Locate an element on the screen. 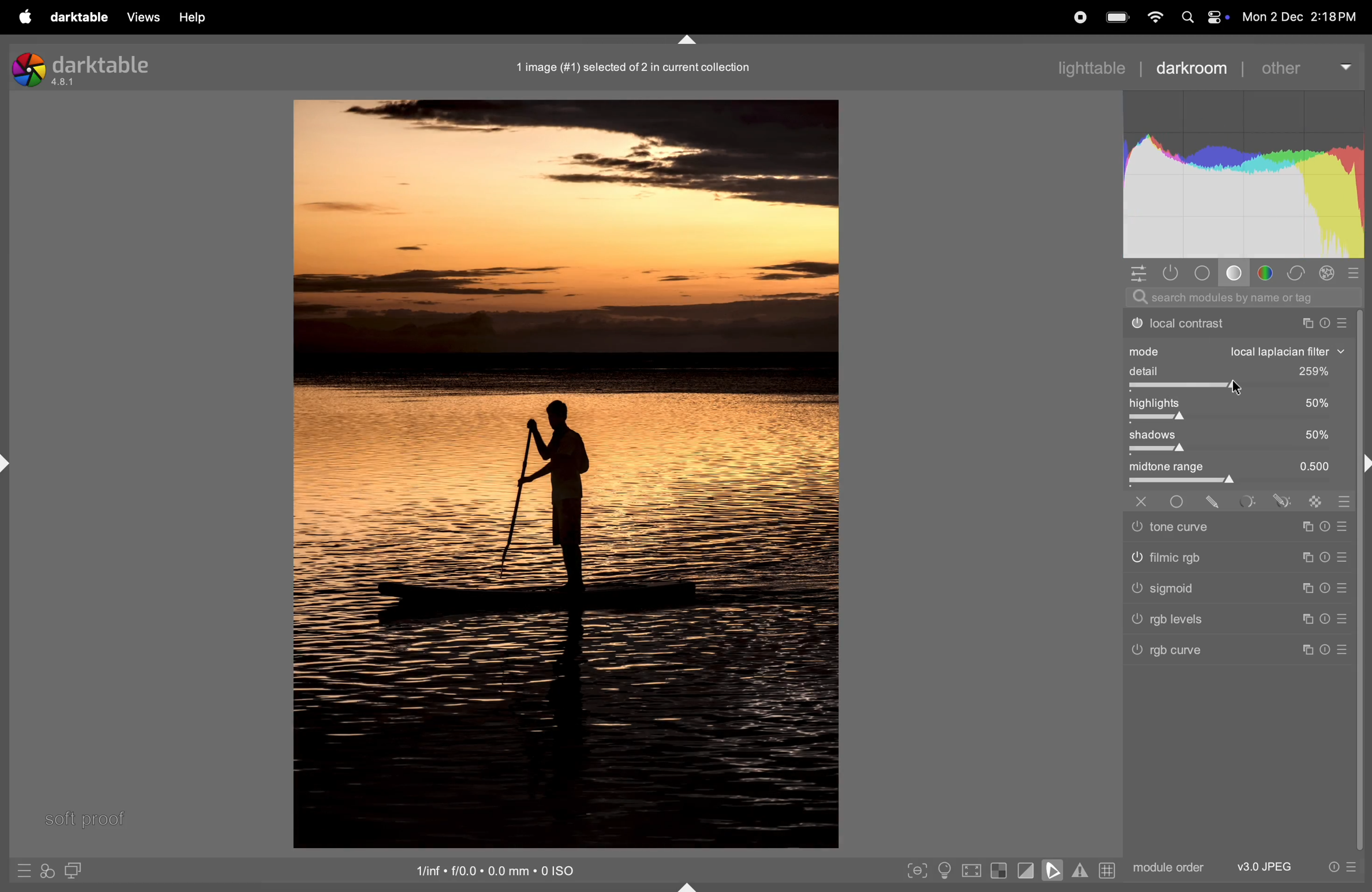 The image size is (1372, 892). sign  is located at coordinates (1325, 558).